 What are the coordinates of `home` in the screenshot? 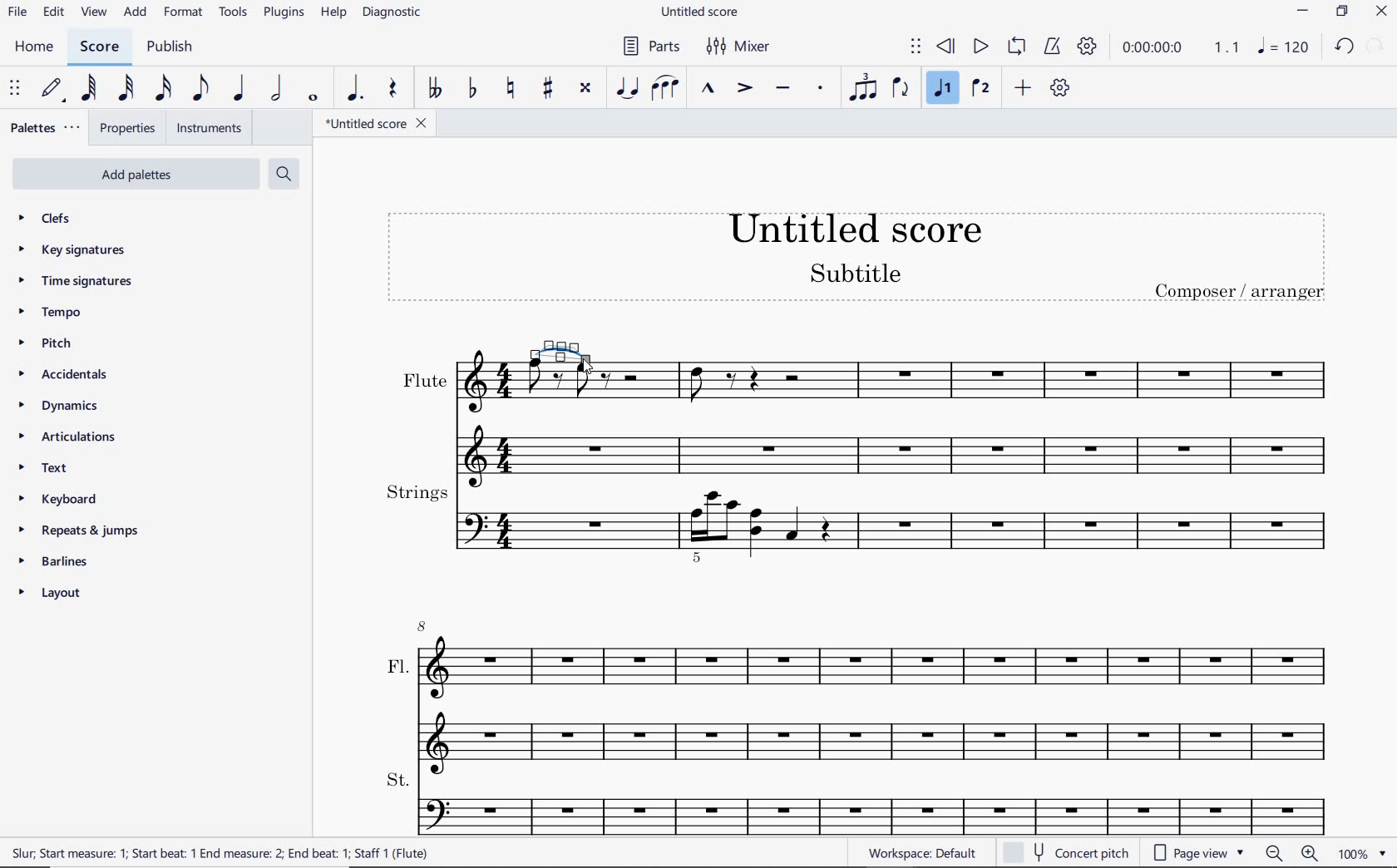 It's located at (36, 47).